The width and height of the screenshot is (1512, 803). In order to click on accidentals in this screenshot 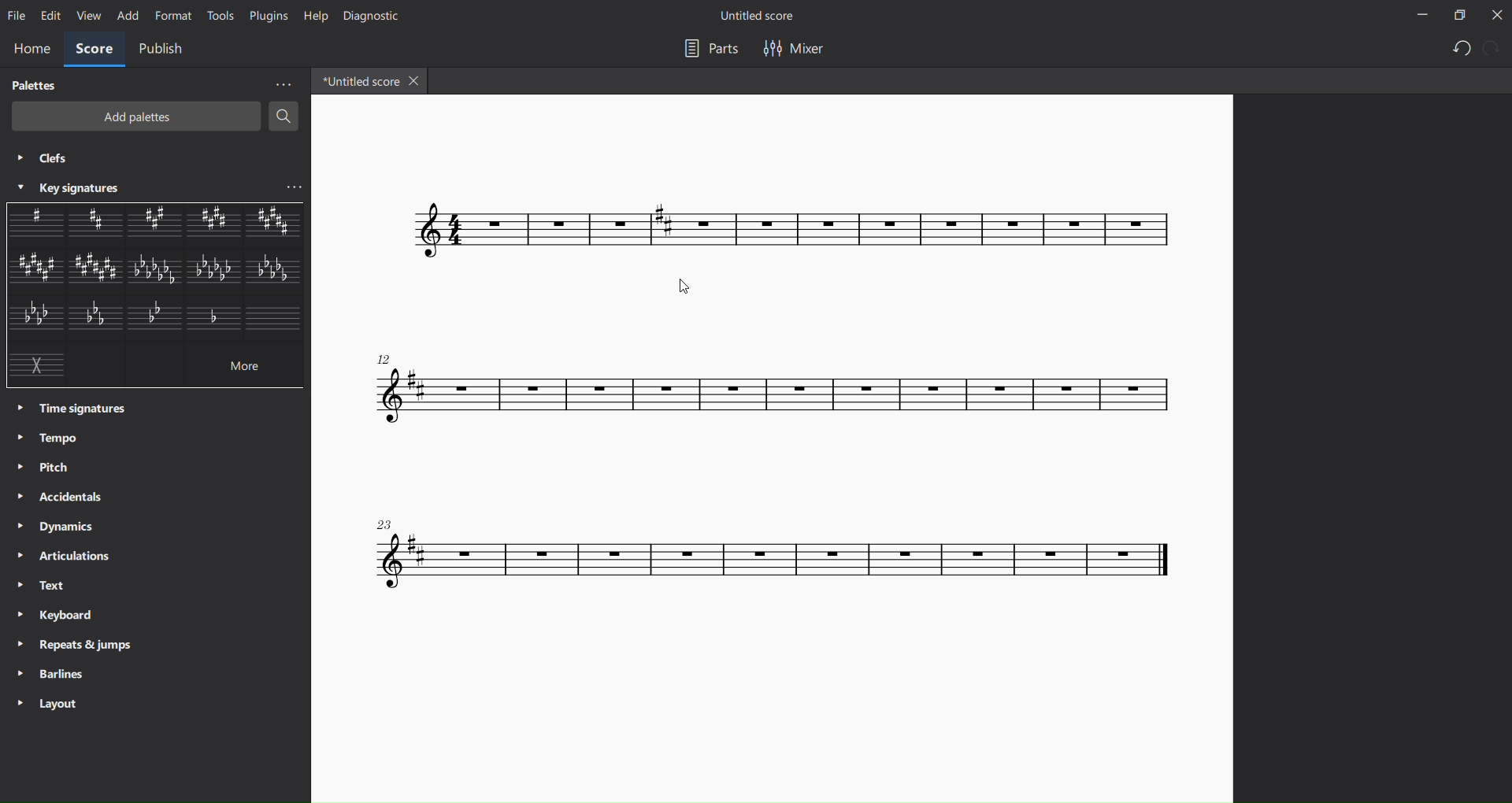, I will do `click(65, 497)`.